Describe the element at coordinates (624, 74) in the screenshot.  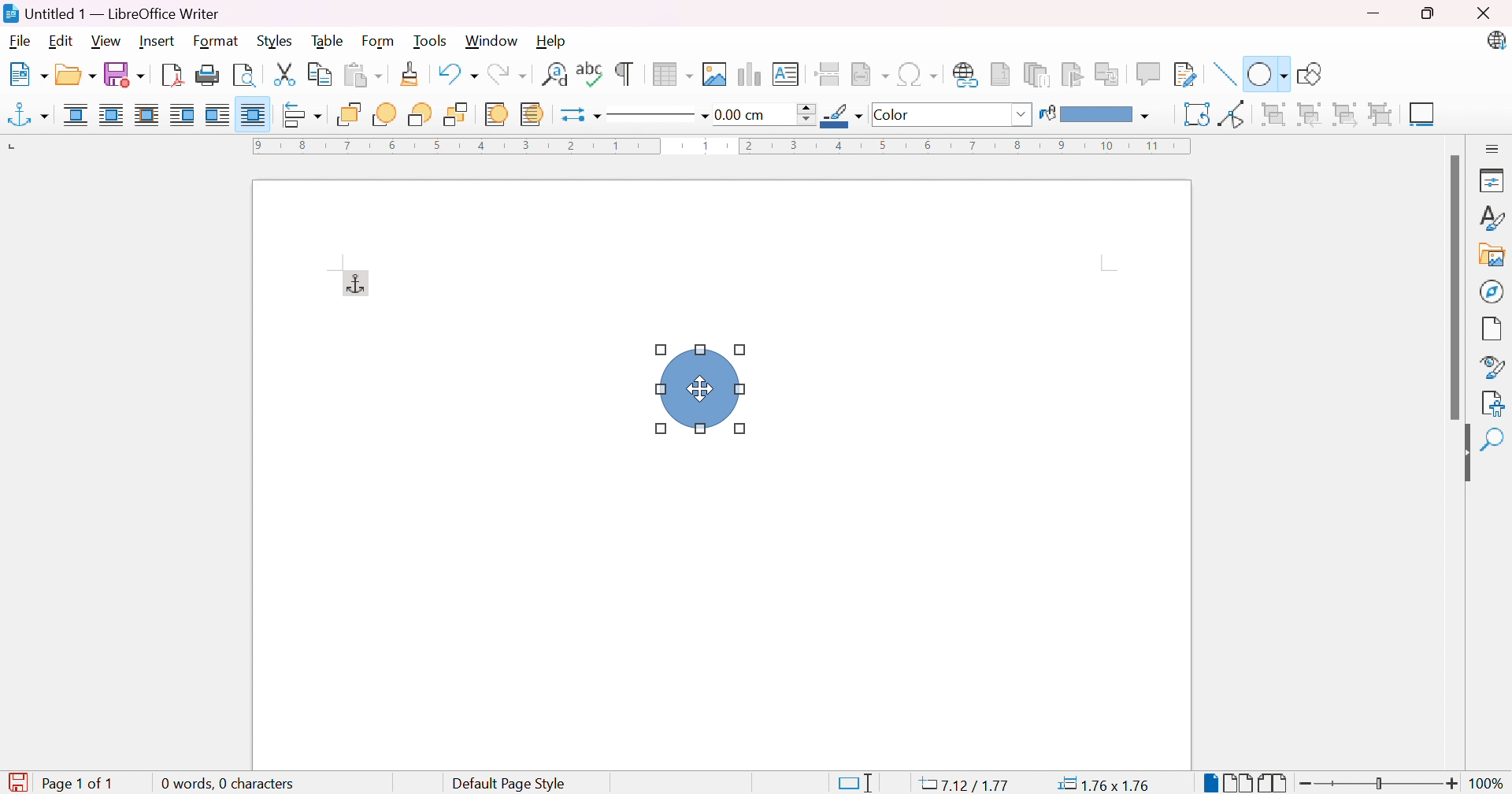
I see `Toggle formatting marks` at that location.